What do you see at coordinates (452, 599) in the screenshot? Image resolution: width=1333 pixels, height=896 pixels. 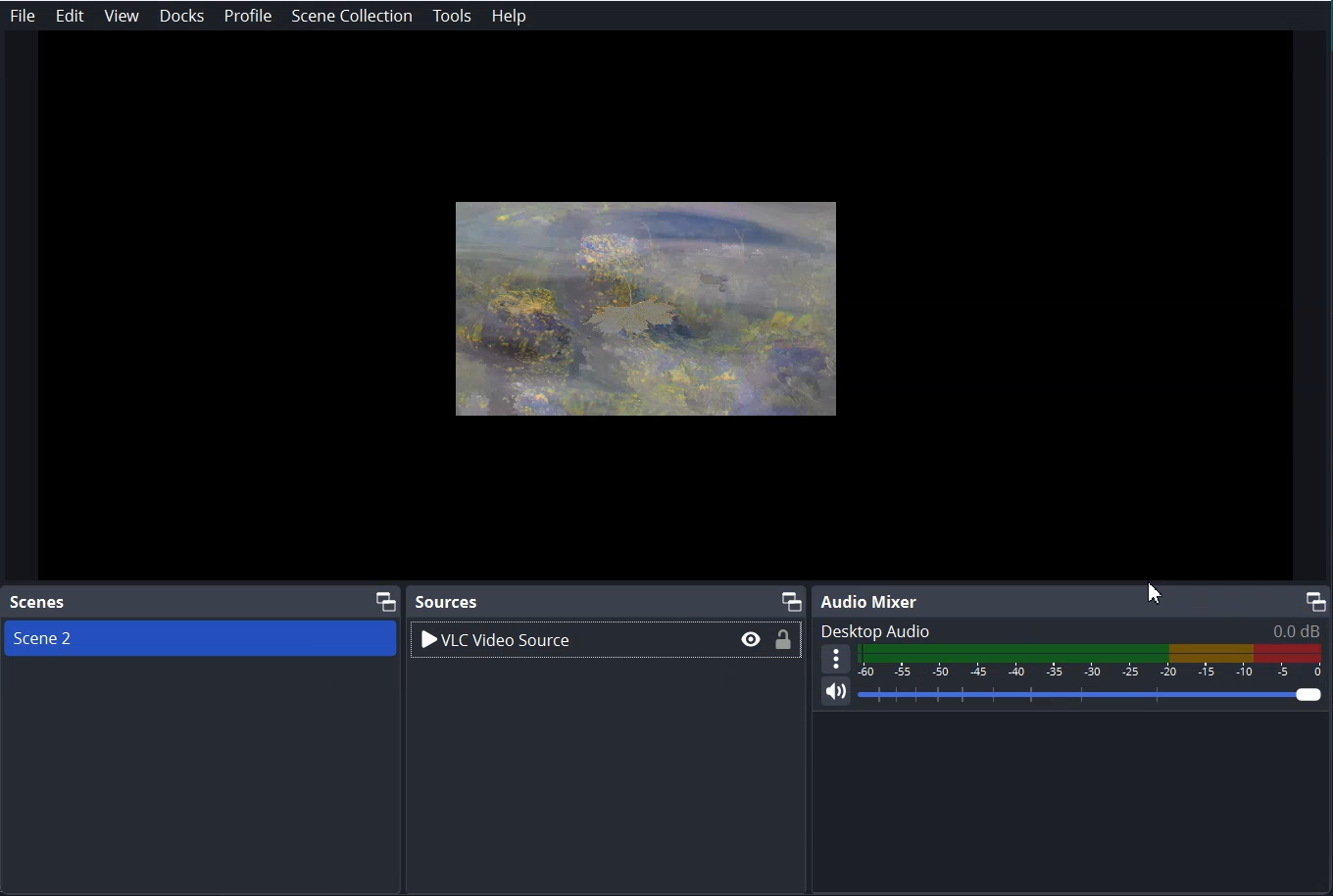 I see `Sources` at bounding box center [452, 599].